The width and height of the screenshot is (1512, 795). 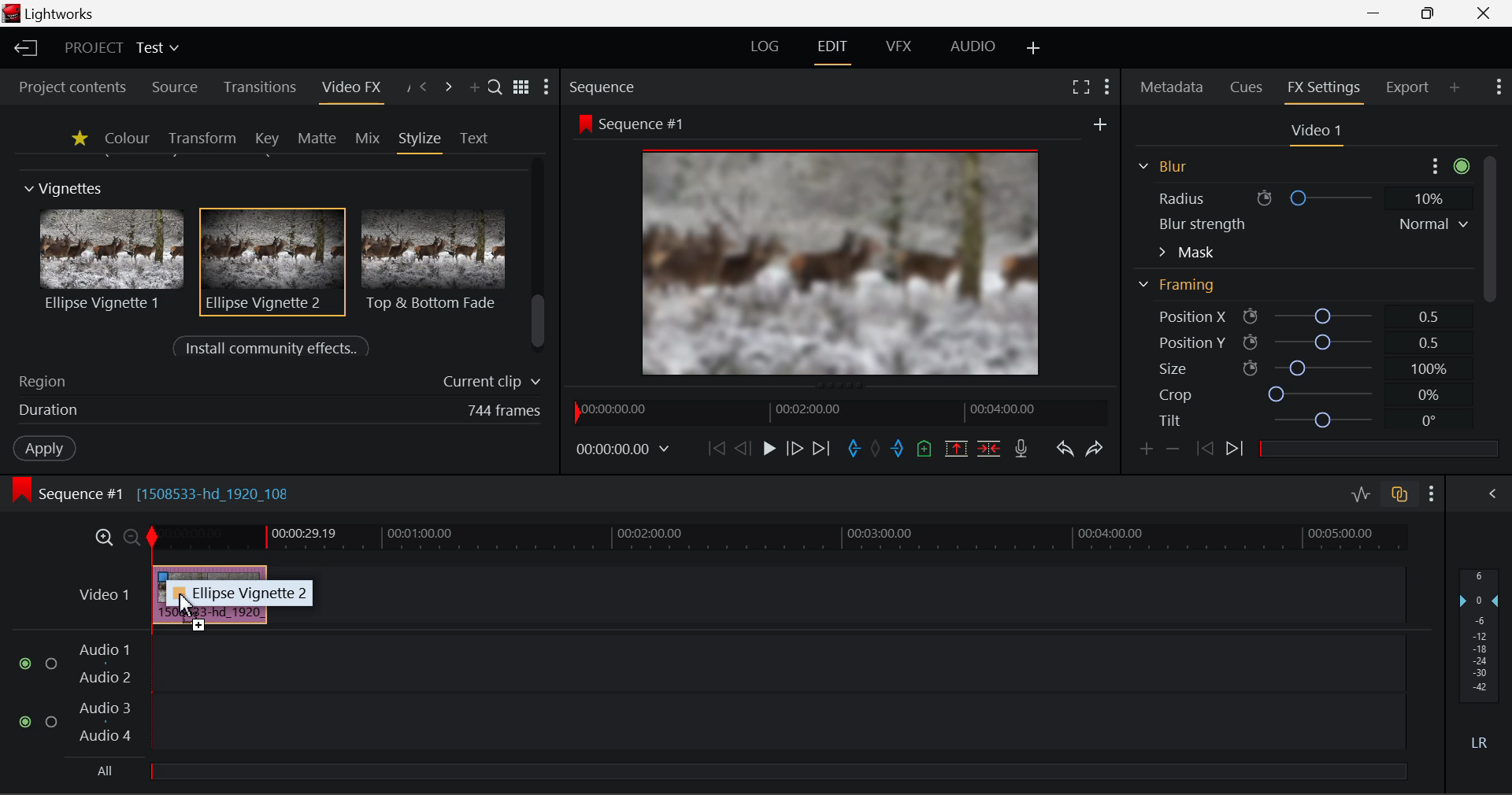 What do you see at coordinates (1022, 447) in the screenshot?
I see `Record Voiceover` at bounding box center [1022, 447].